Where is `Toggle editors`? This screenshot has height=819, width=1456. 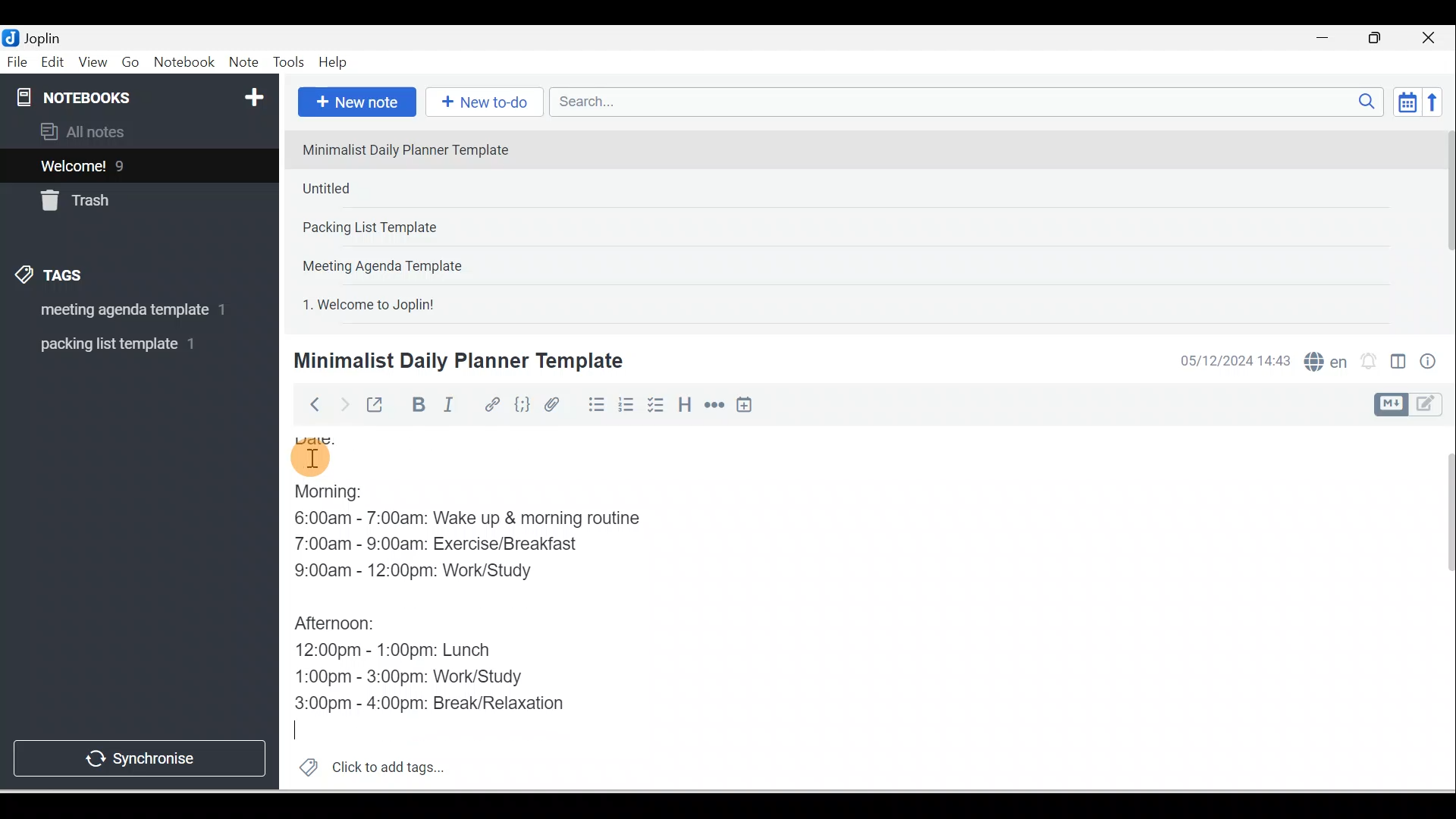 Toggle editors is located at coordinates (1398, 364).